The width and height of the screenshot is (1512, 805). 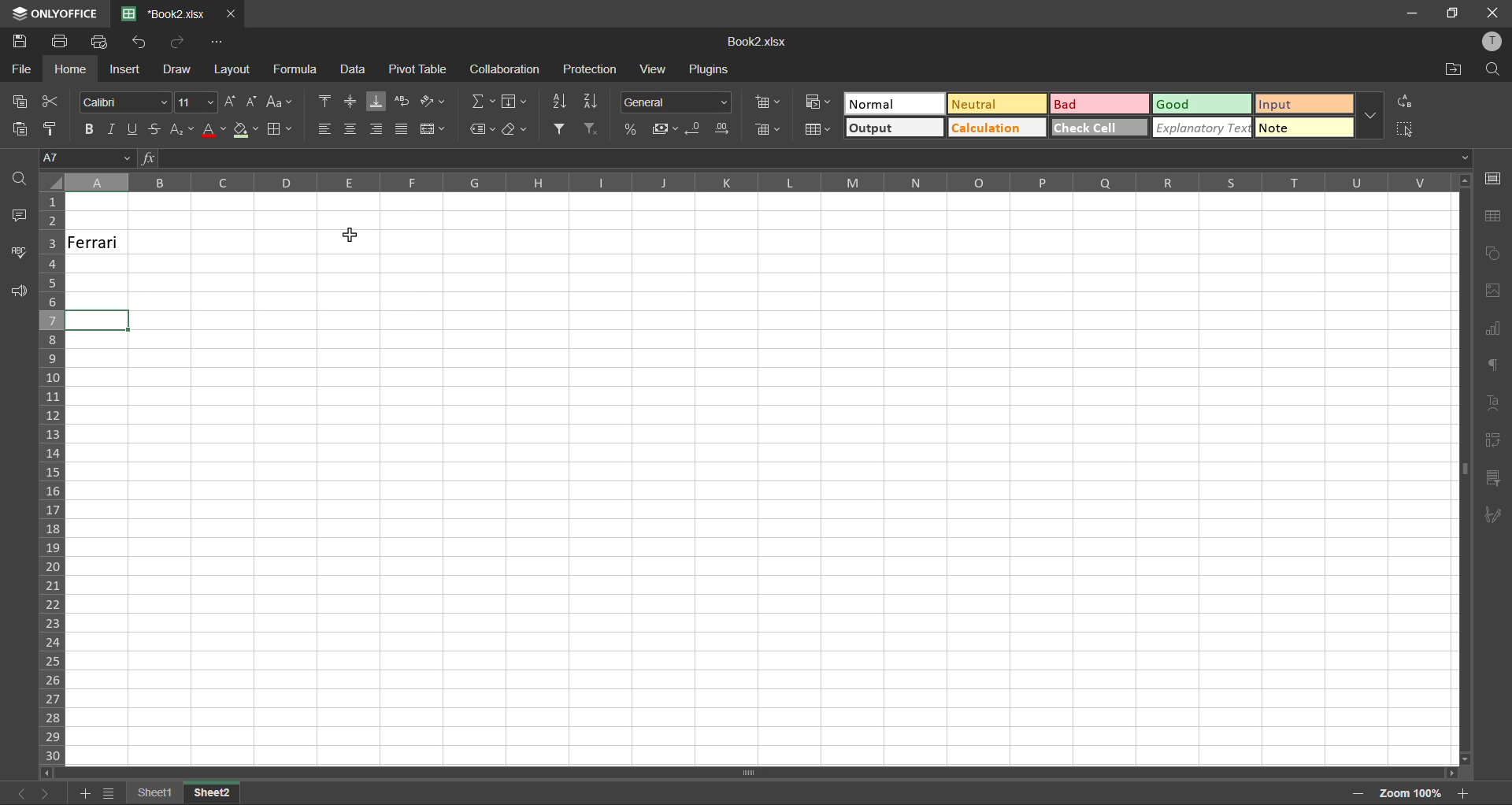 I want to click on spellcheck, so click(x=19, y=253).